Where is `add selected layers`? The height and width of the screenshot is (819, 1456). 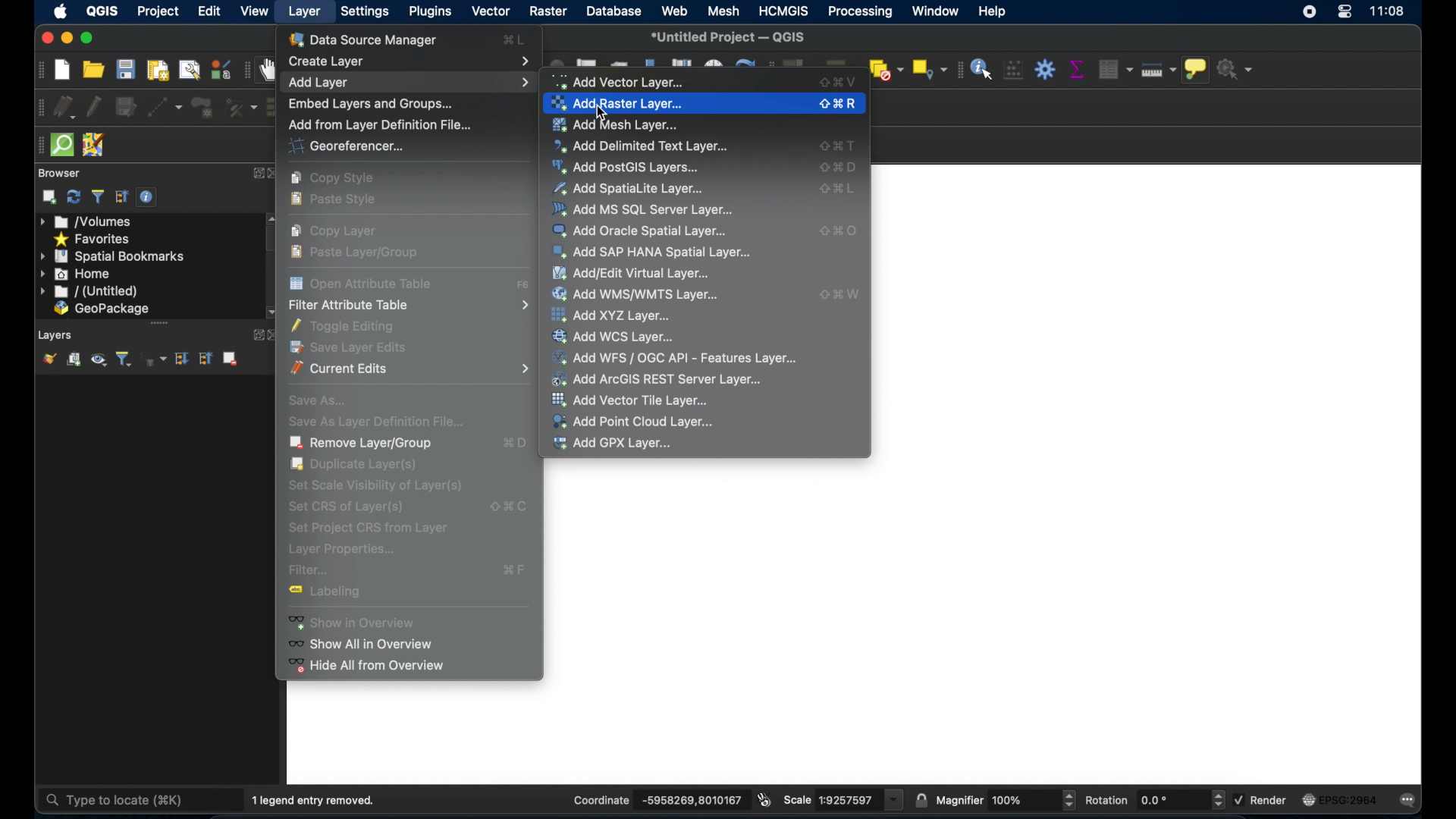
add selected layers is located at coordinates (49, 197).